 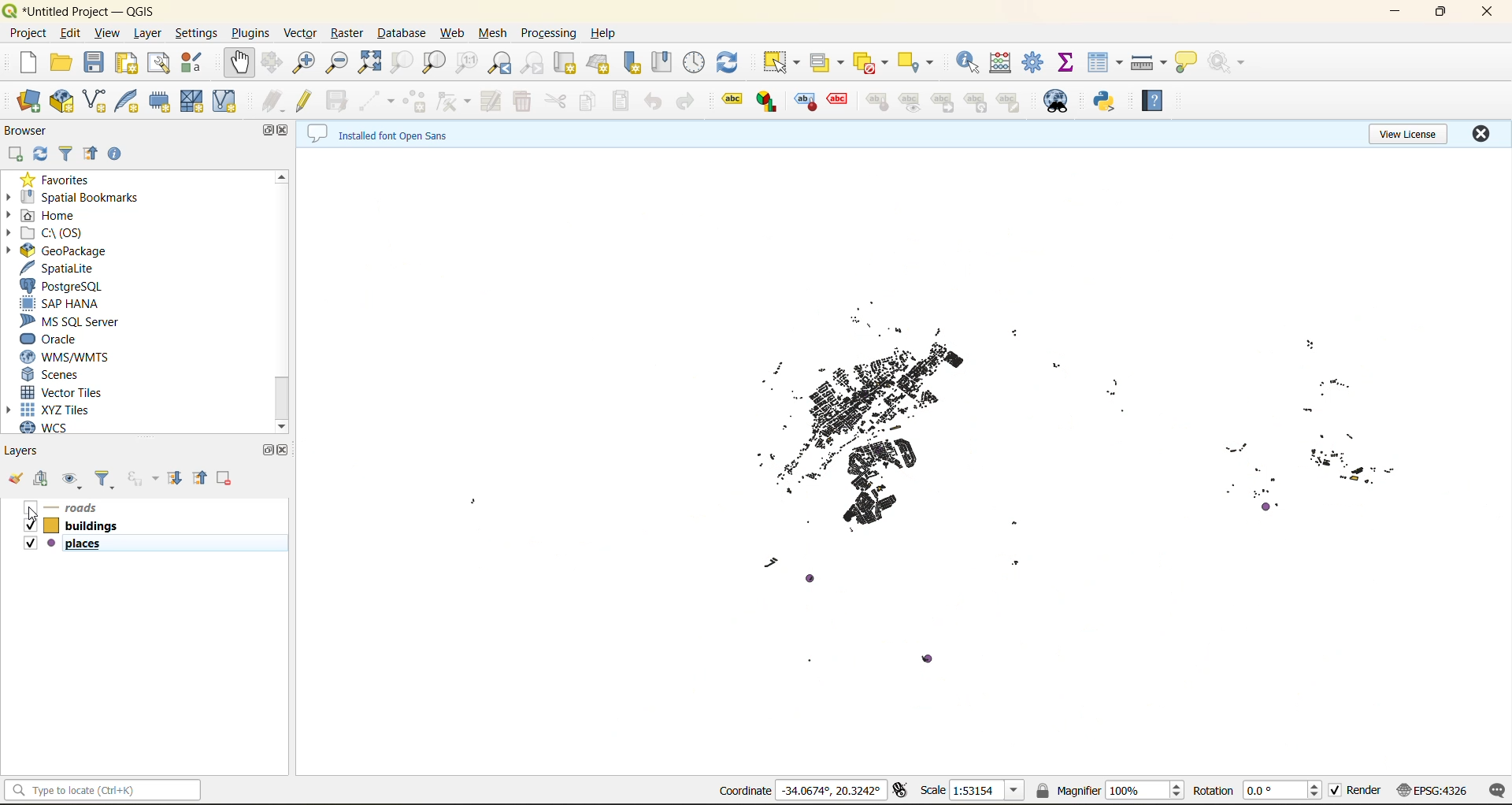 I want to click on select value, so click(x=828, y=62).